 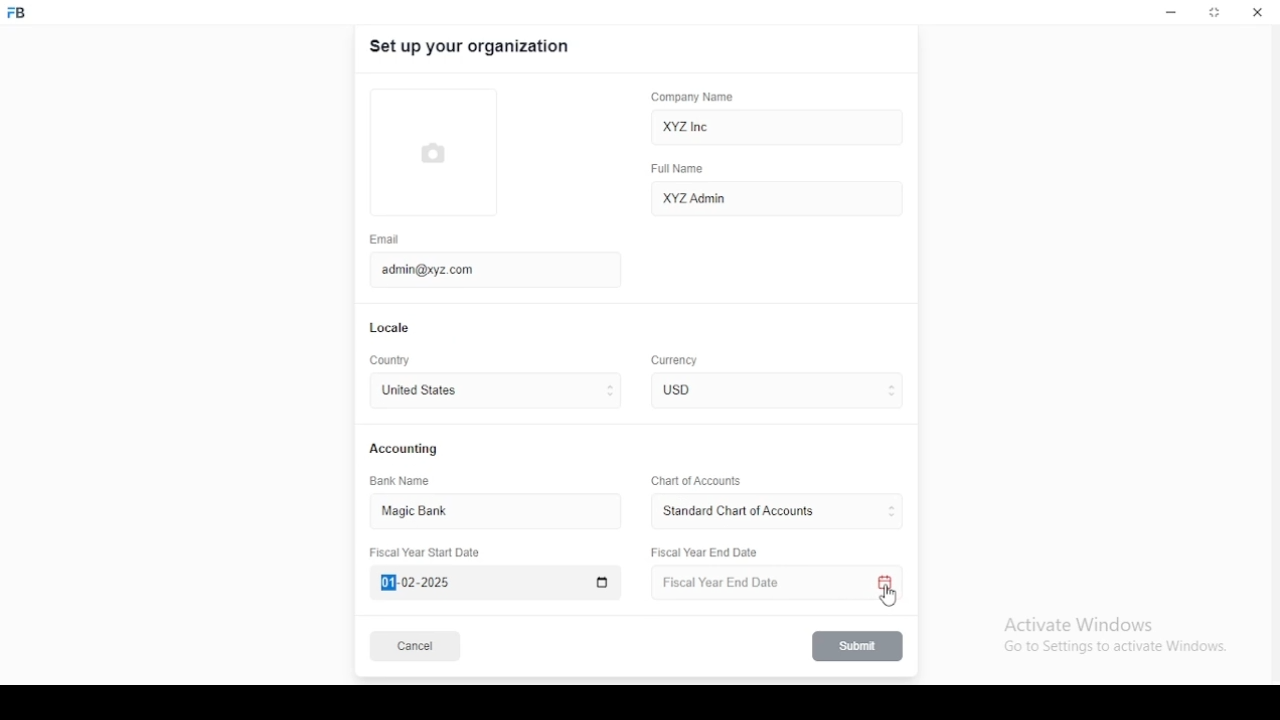 I want to click on restore, so click(x=1216, y=14).